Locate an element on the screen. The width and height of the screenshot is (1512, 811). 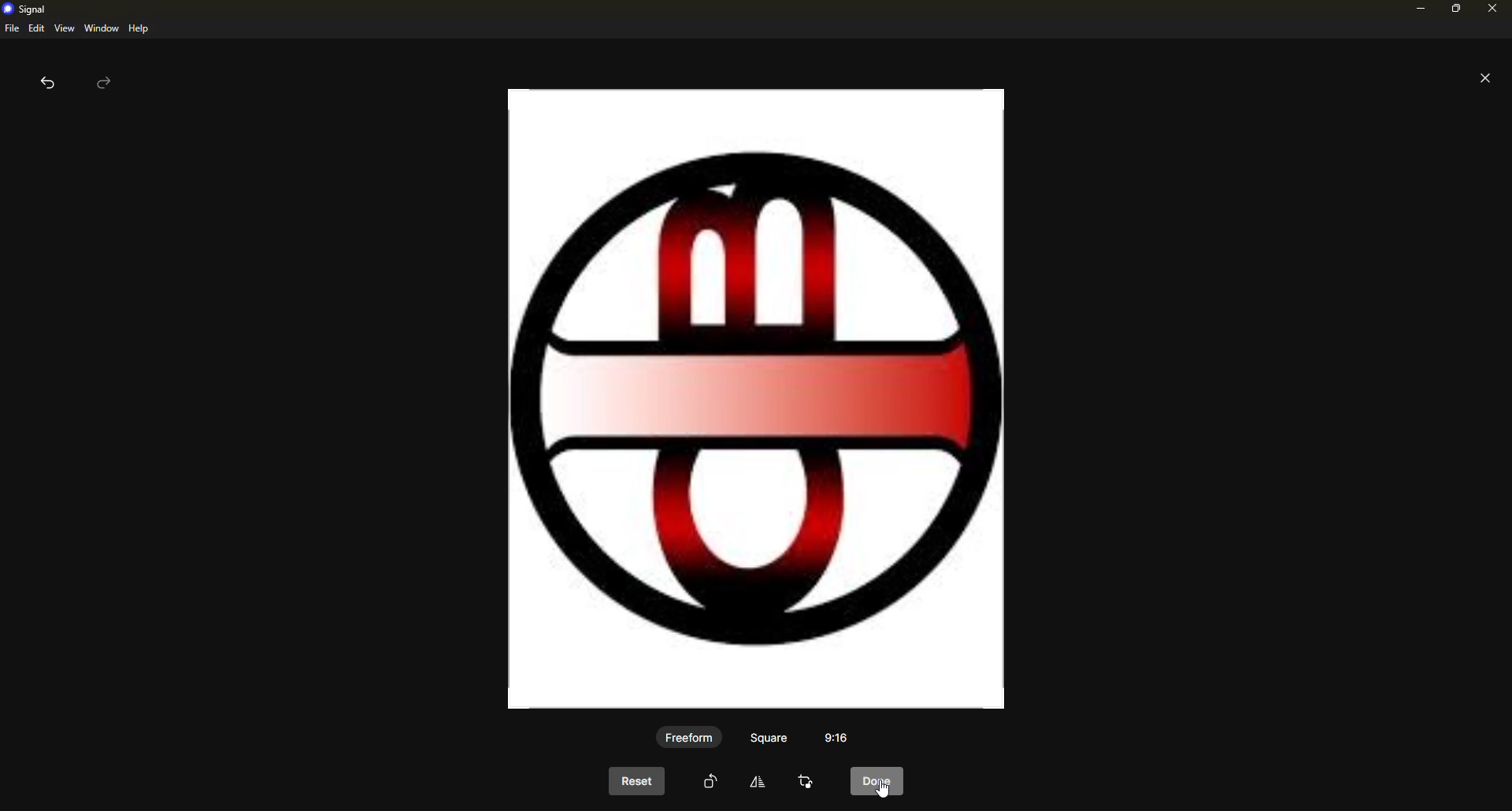
aspect ratio is located at coordinates (838, 735).